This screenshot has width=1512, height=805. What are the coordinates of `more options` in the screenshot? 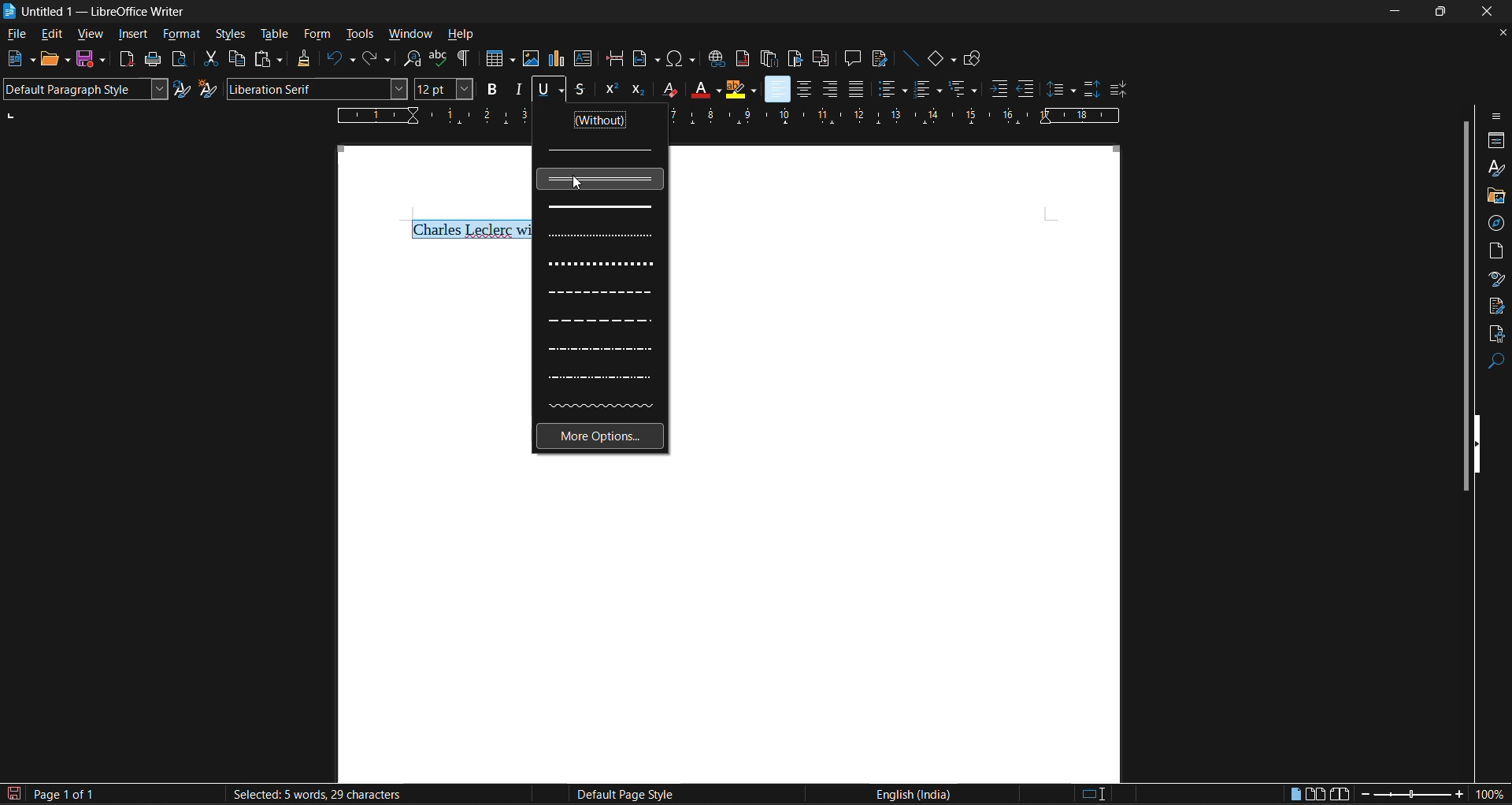 It's located at (599, 437).